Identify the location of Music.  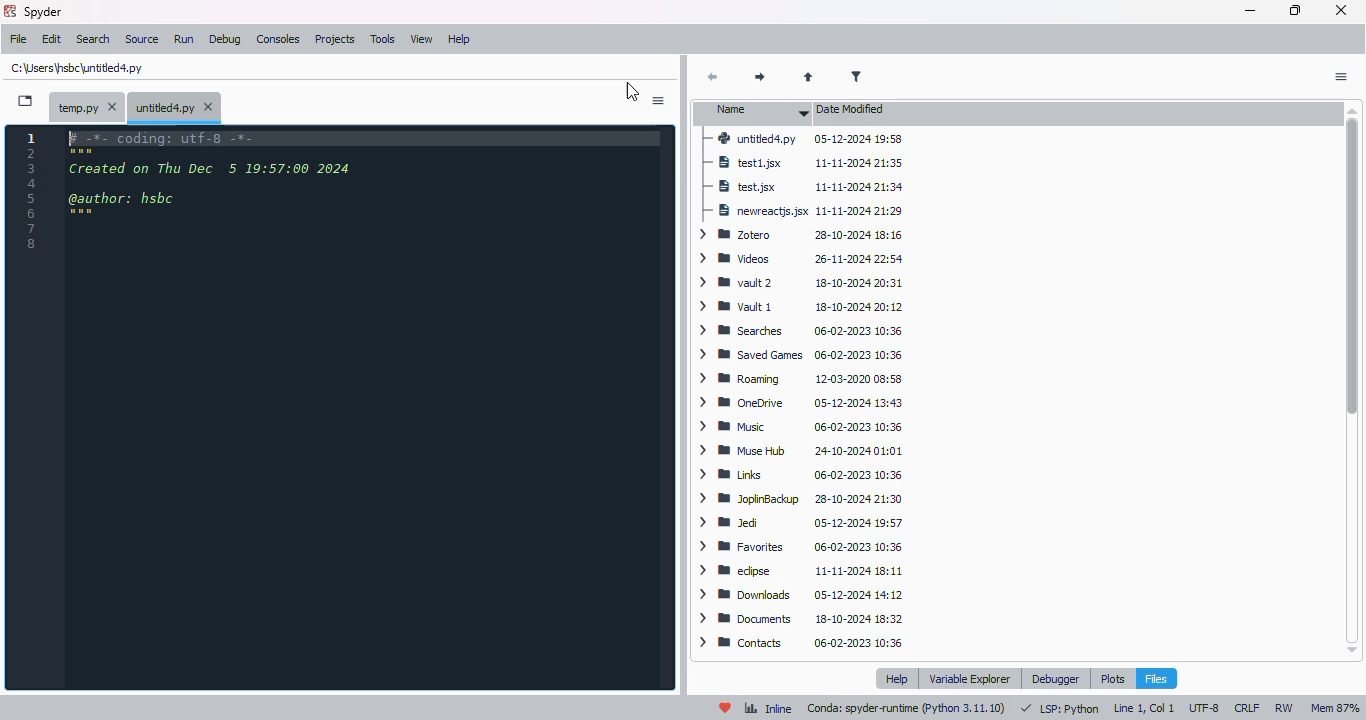
(795, 475).